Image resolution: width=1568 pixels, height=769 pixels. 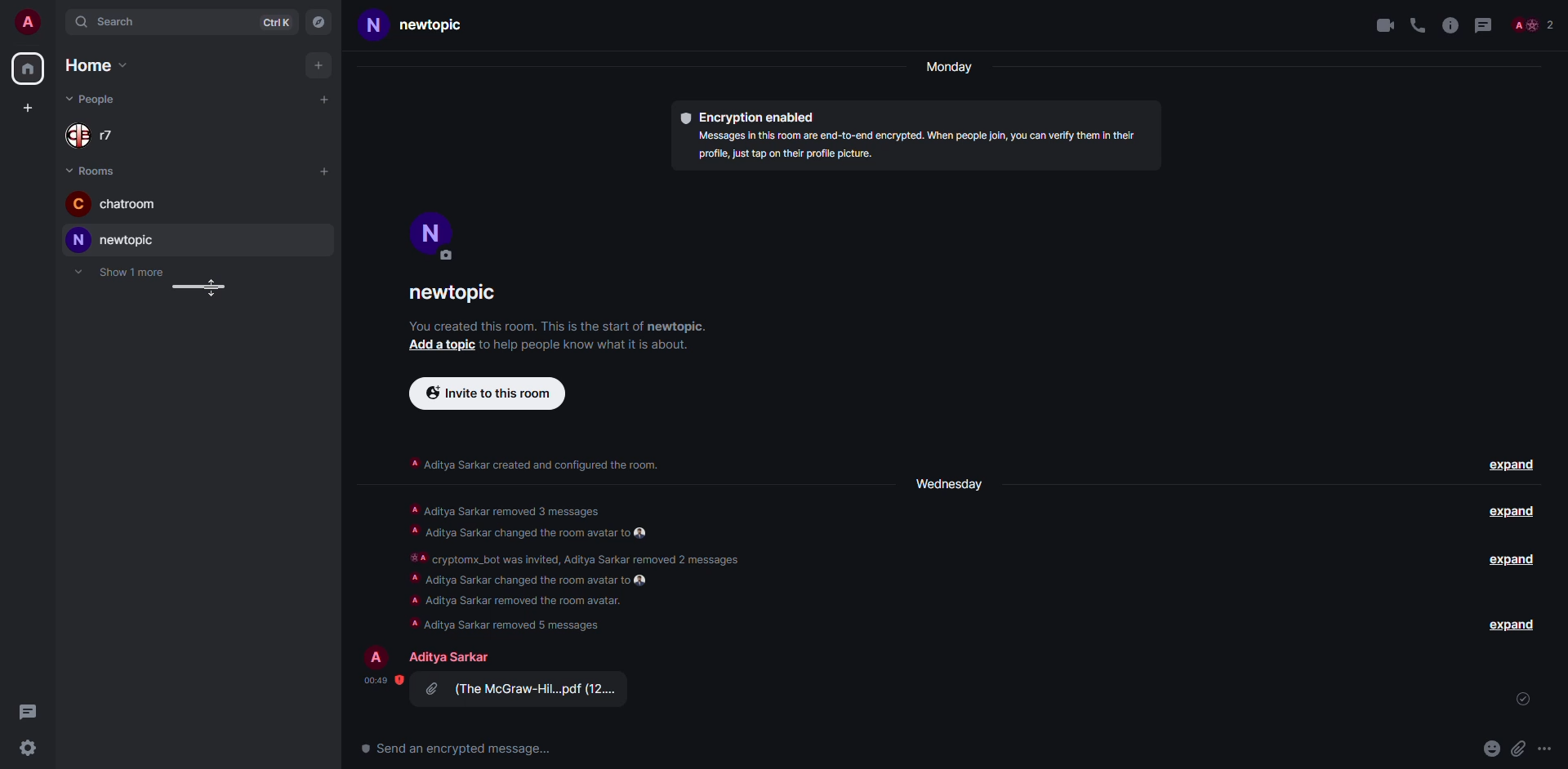 I want to click on threads, so click(x=1486, y=24).